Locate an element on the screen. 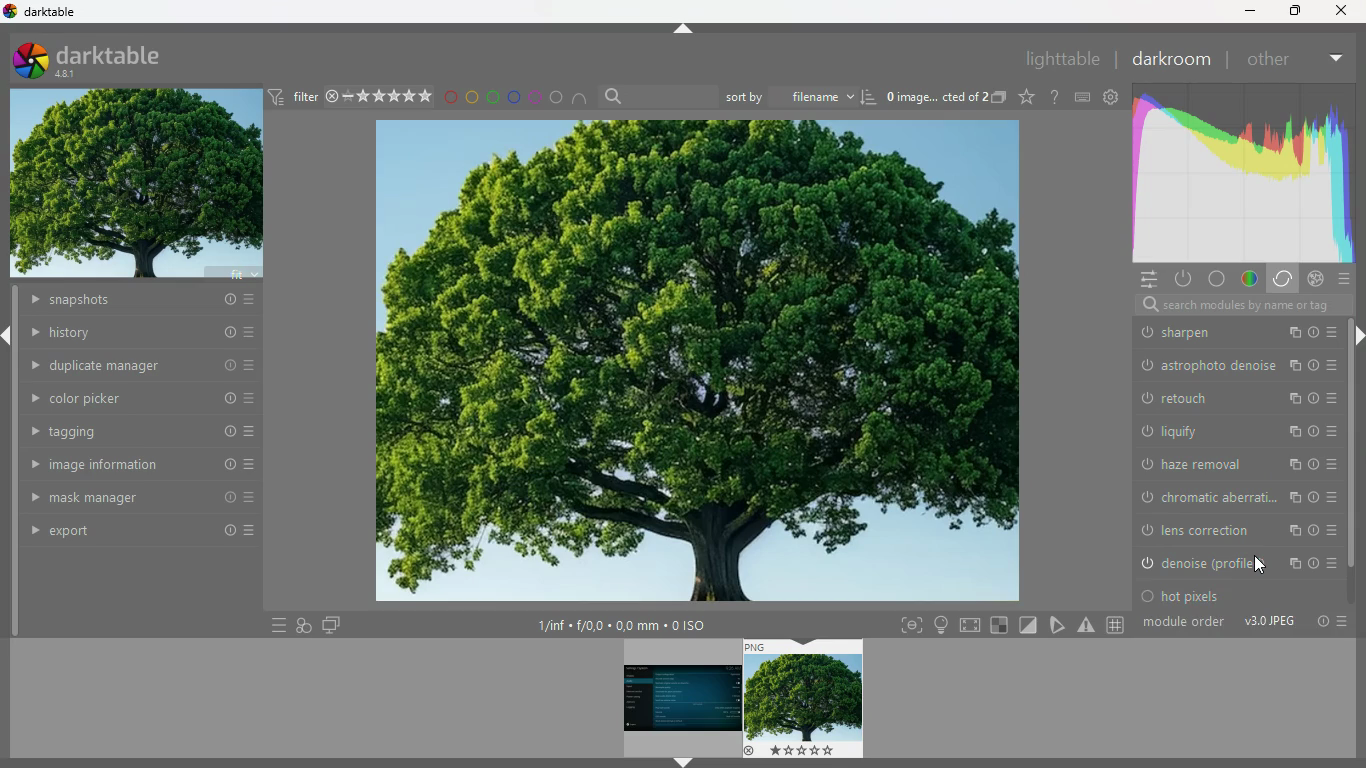  darkroom is located at coordinates (1170, 59).